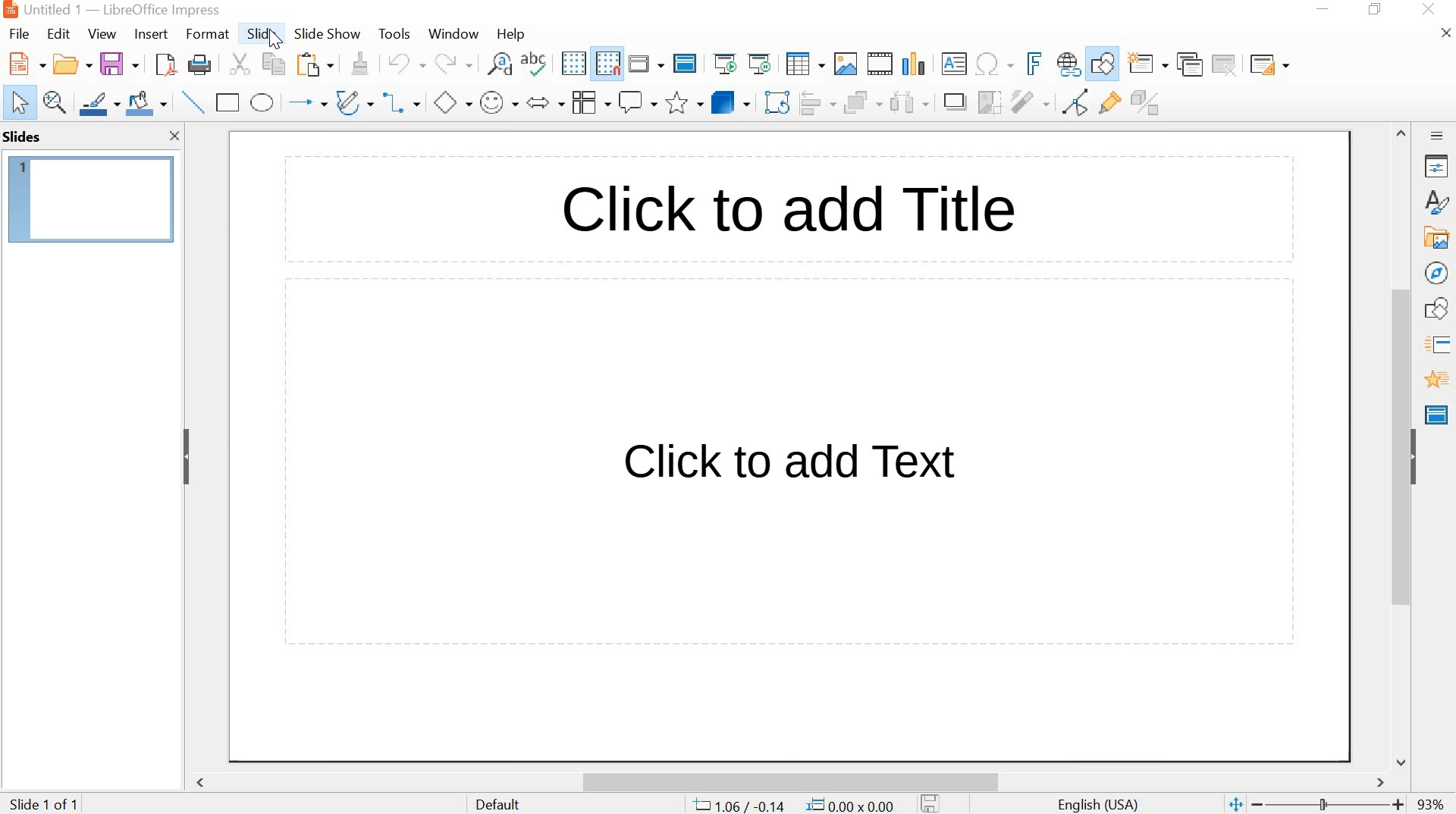 The height and width of the screenshot is (814, 1456). Describe the element at coordinates (882, 64) in the screenshot. I see `Insert audio or video` at that location.